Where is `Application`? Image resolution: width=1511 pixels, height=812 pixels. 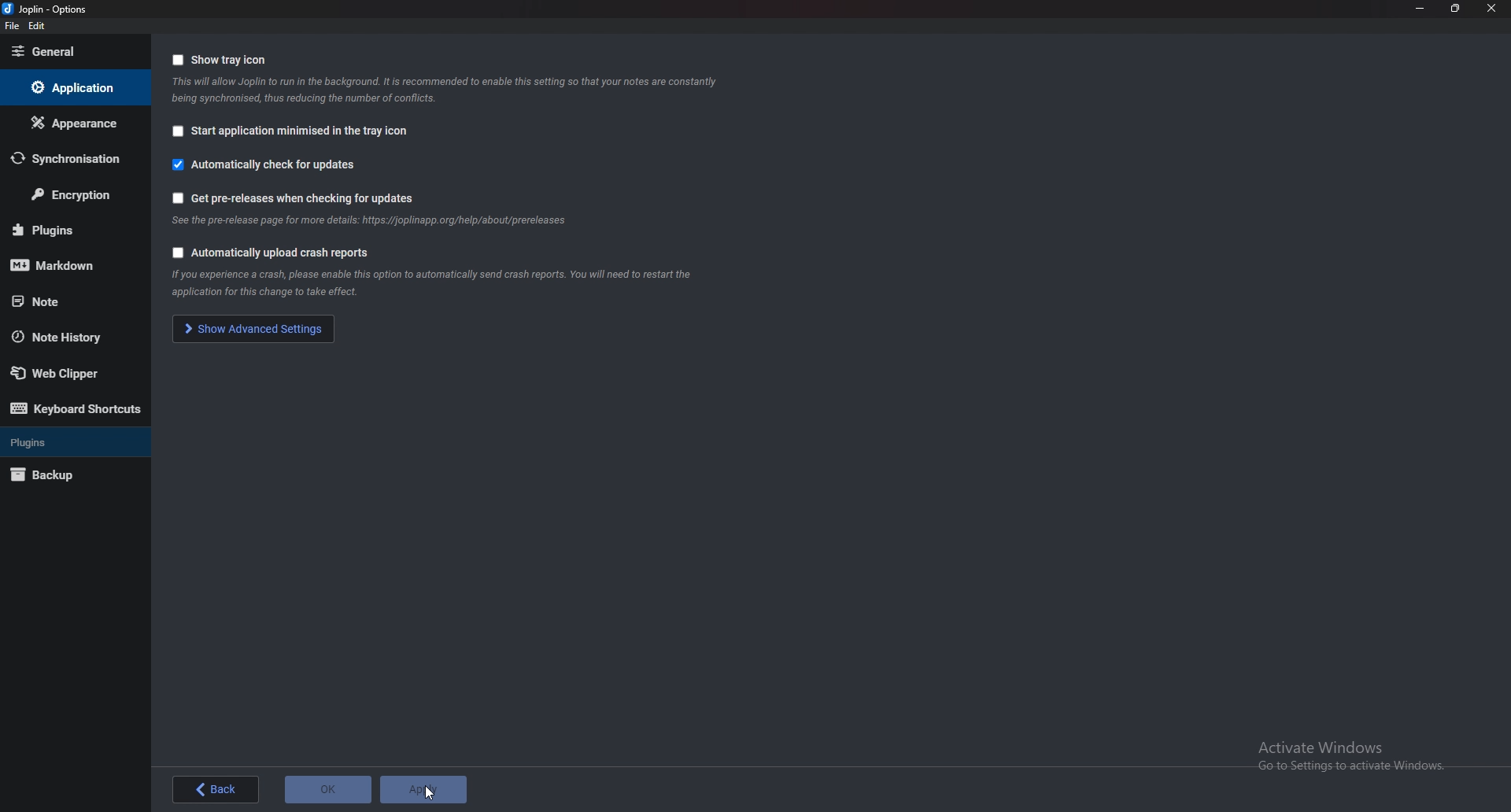 Application is located at coordinates (73, 88).